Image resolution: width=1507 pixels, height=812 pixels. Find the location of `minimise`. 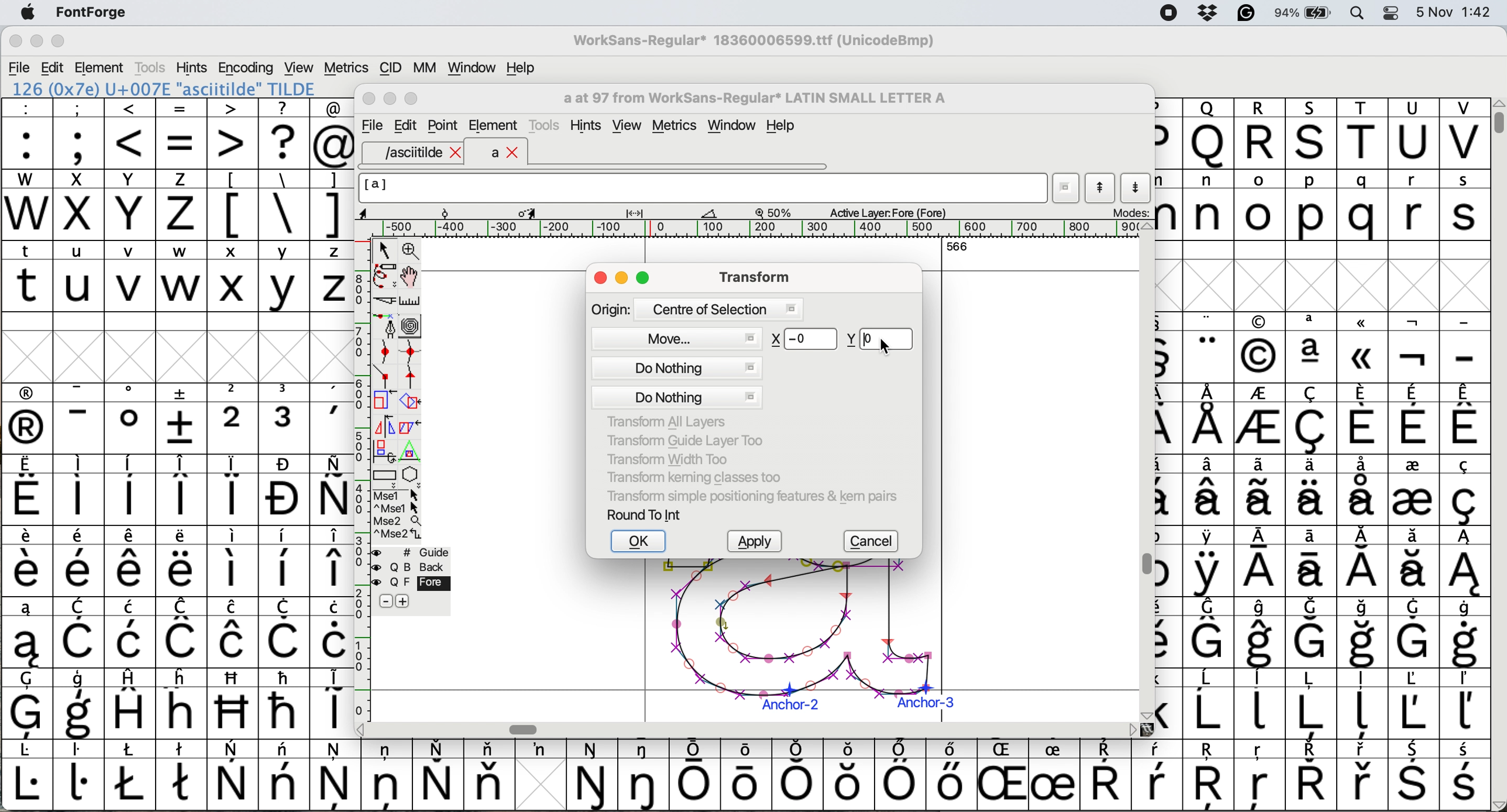

minimise is located at coordinates (35, 42).